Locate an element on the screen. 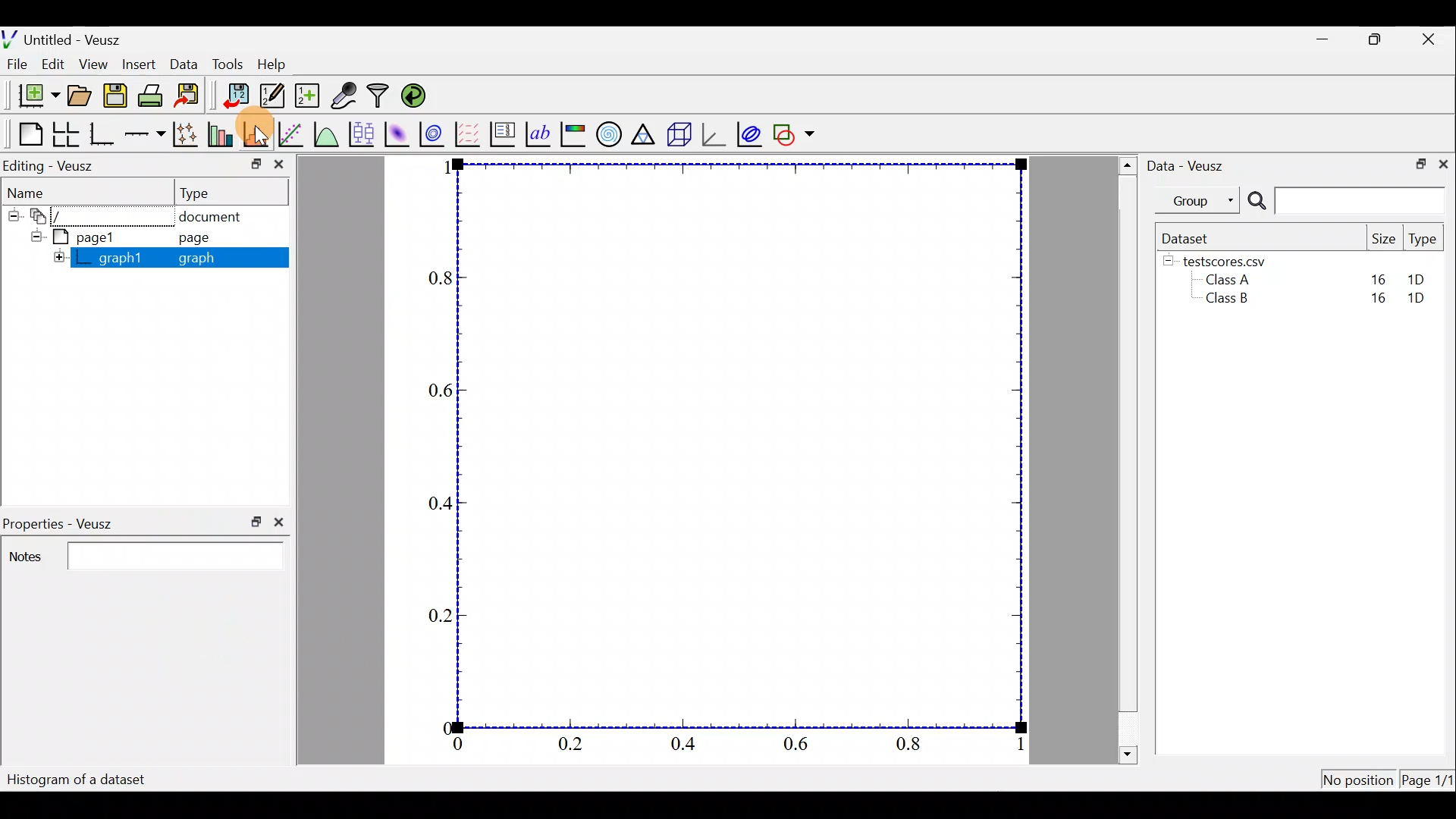 The height and width of the screenshot is (819, 1456). Close is located at coordinates (1432, 38).